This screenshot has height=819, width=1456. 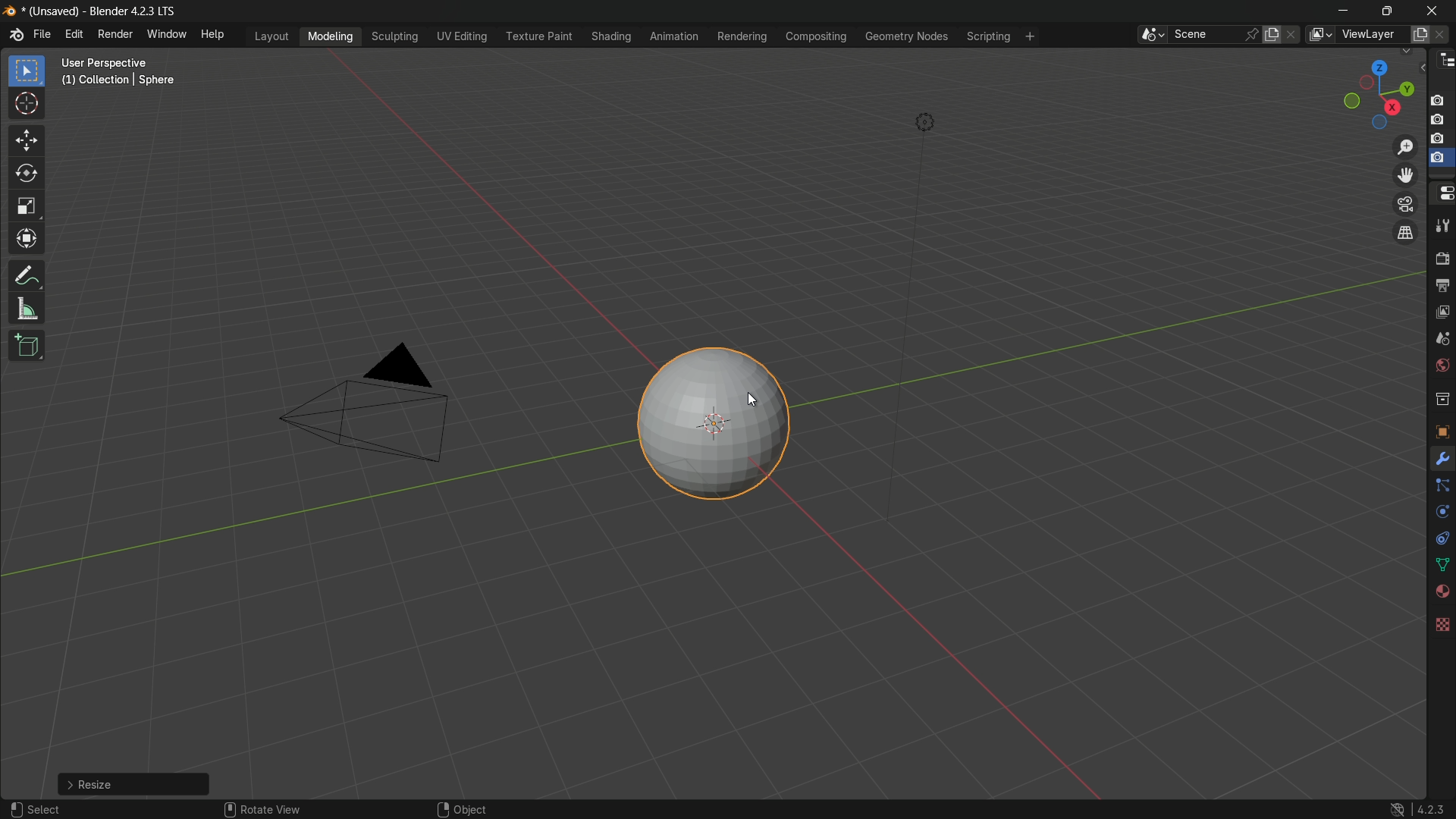 What do you see at coordinates (1441, 428) in the screenshot?
I see `object` at bounding box center [1441, 428].